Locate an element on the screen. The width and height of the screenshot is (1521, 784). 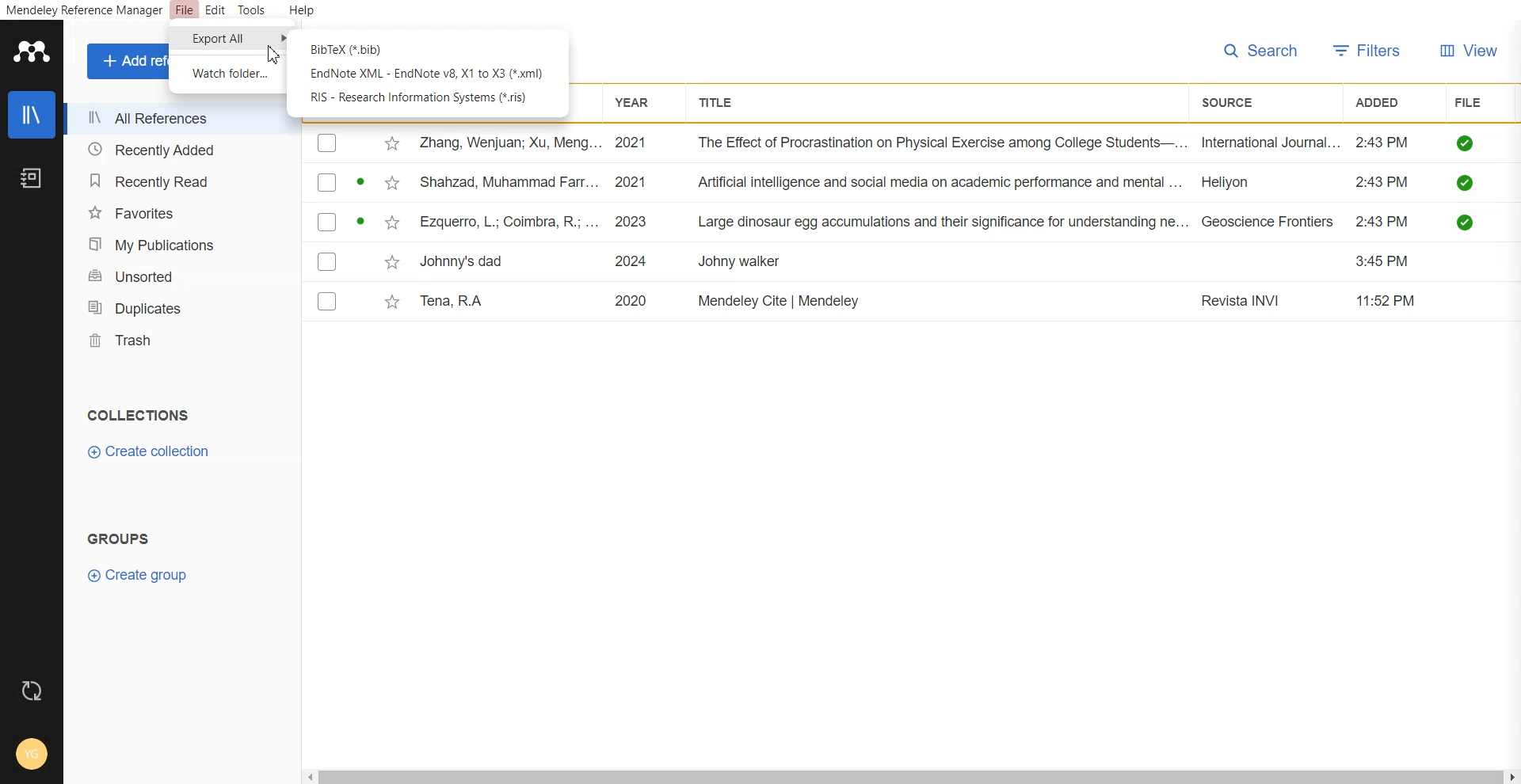
Unsorted is located at coordinates (177, 276).